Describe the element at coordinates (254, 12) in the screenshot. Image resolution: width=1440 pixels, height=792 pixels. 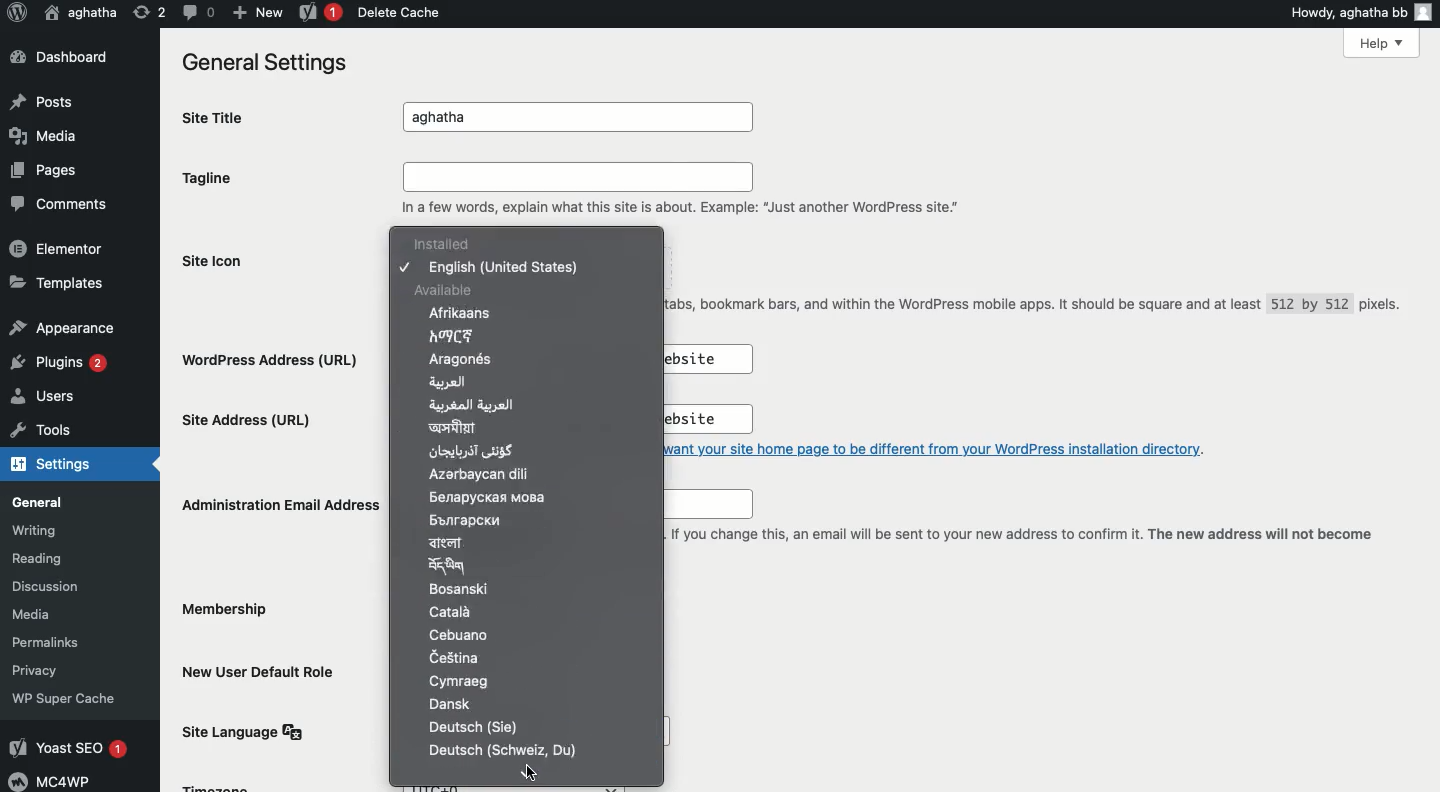
I see `New` at that location.